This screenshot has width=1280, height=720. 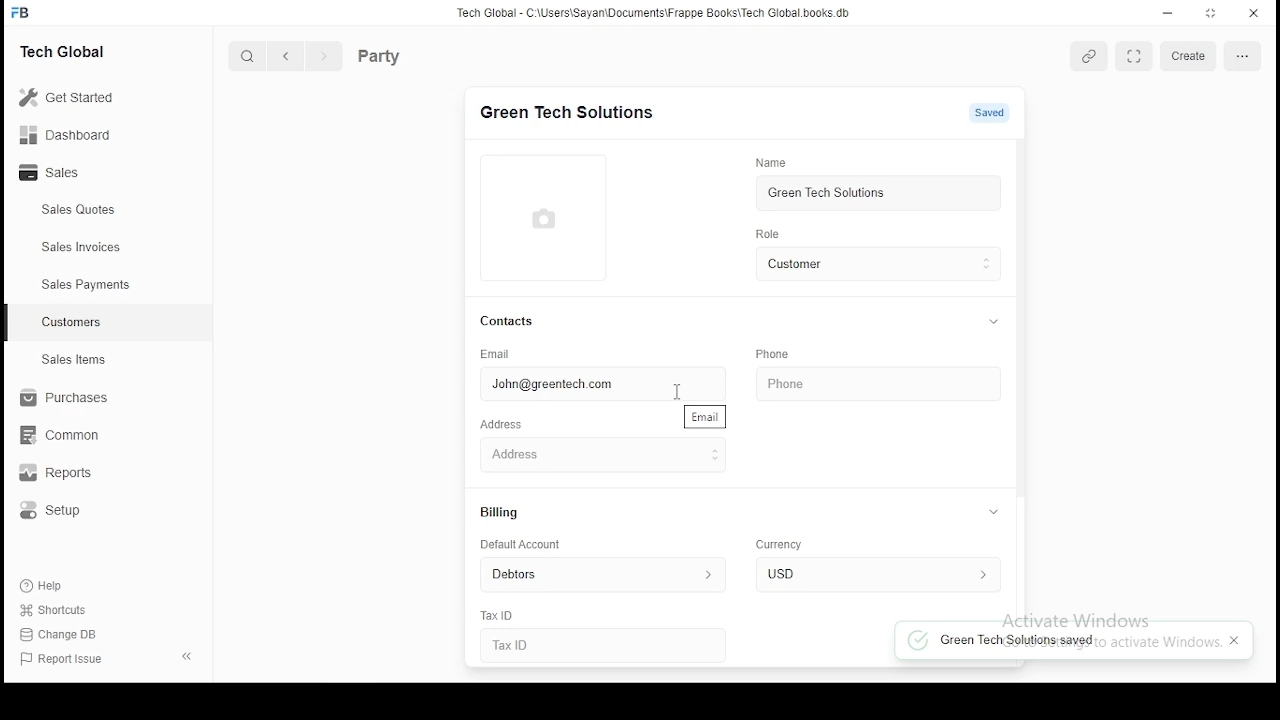 What do you see at coordinates (784, 546) in the screenshot?
I see `currency` at bounding box center [784, 546].